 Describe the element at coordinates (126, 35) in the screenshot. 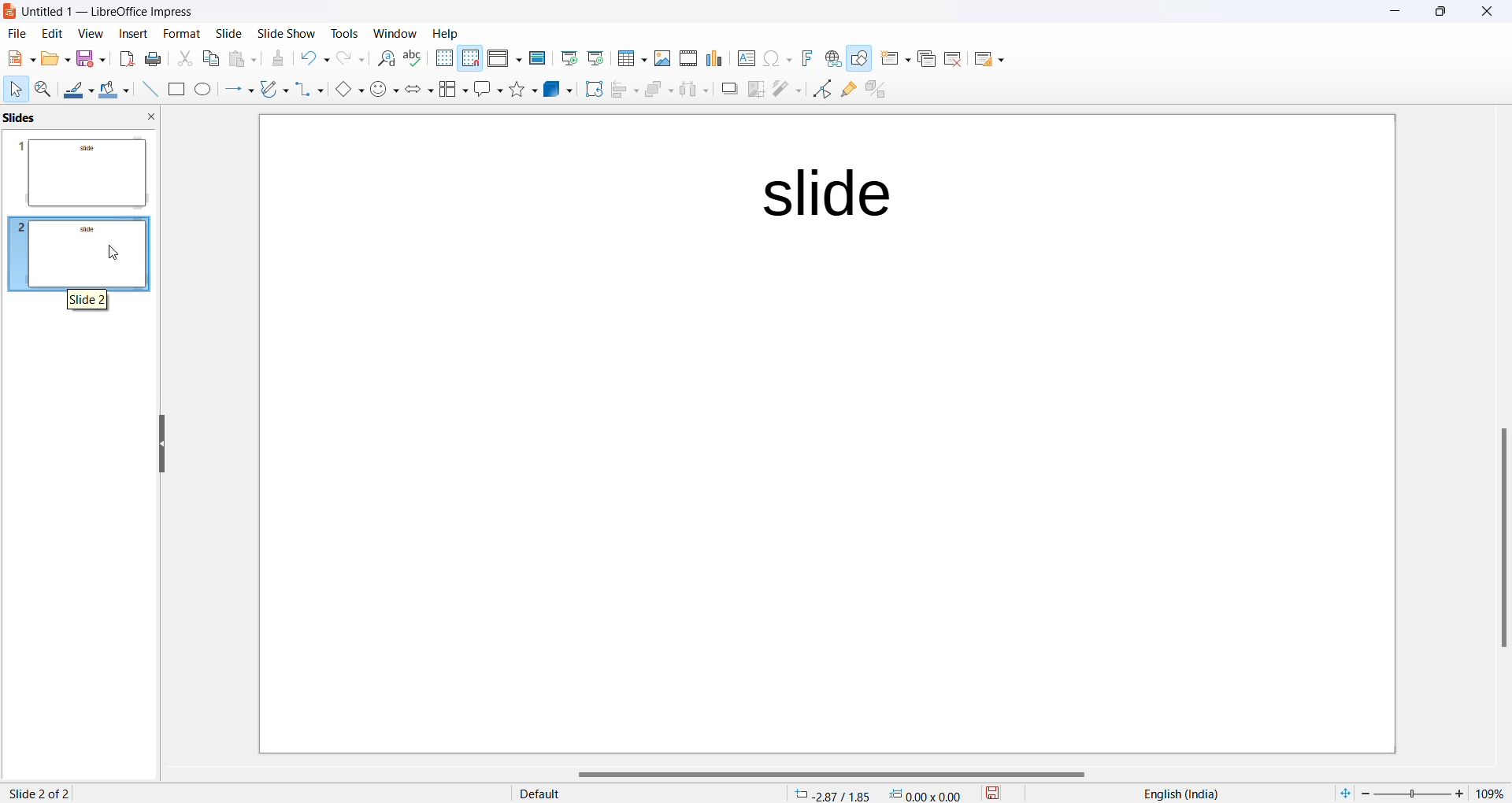

I see `insert` at that location.